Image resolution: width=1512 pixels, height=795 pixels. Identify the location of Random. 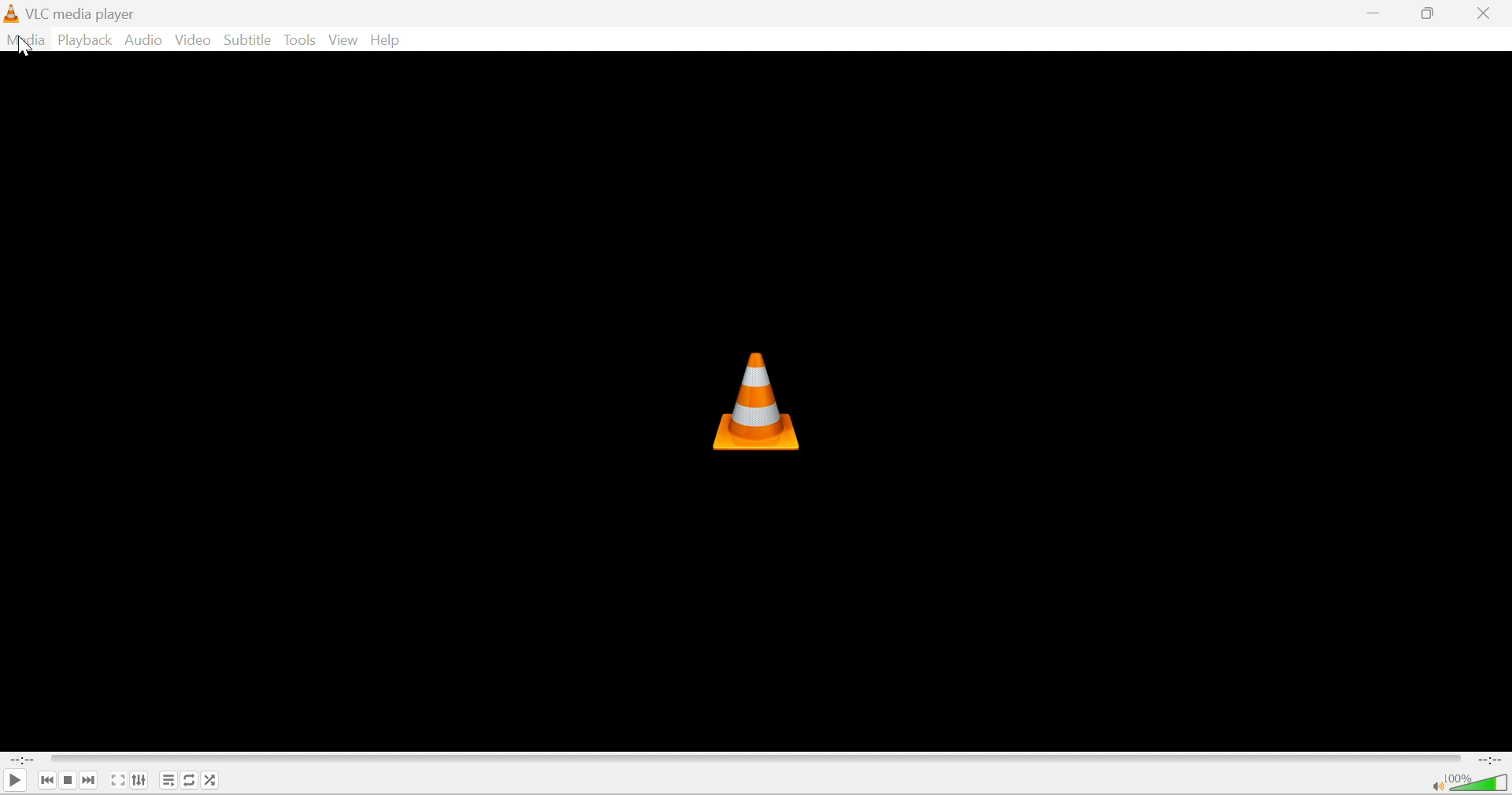
(212, 779).